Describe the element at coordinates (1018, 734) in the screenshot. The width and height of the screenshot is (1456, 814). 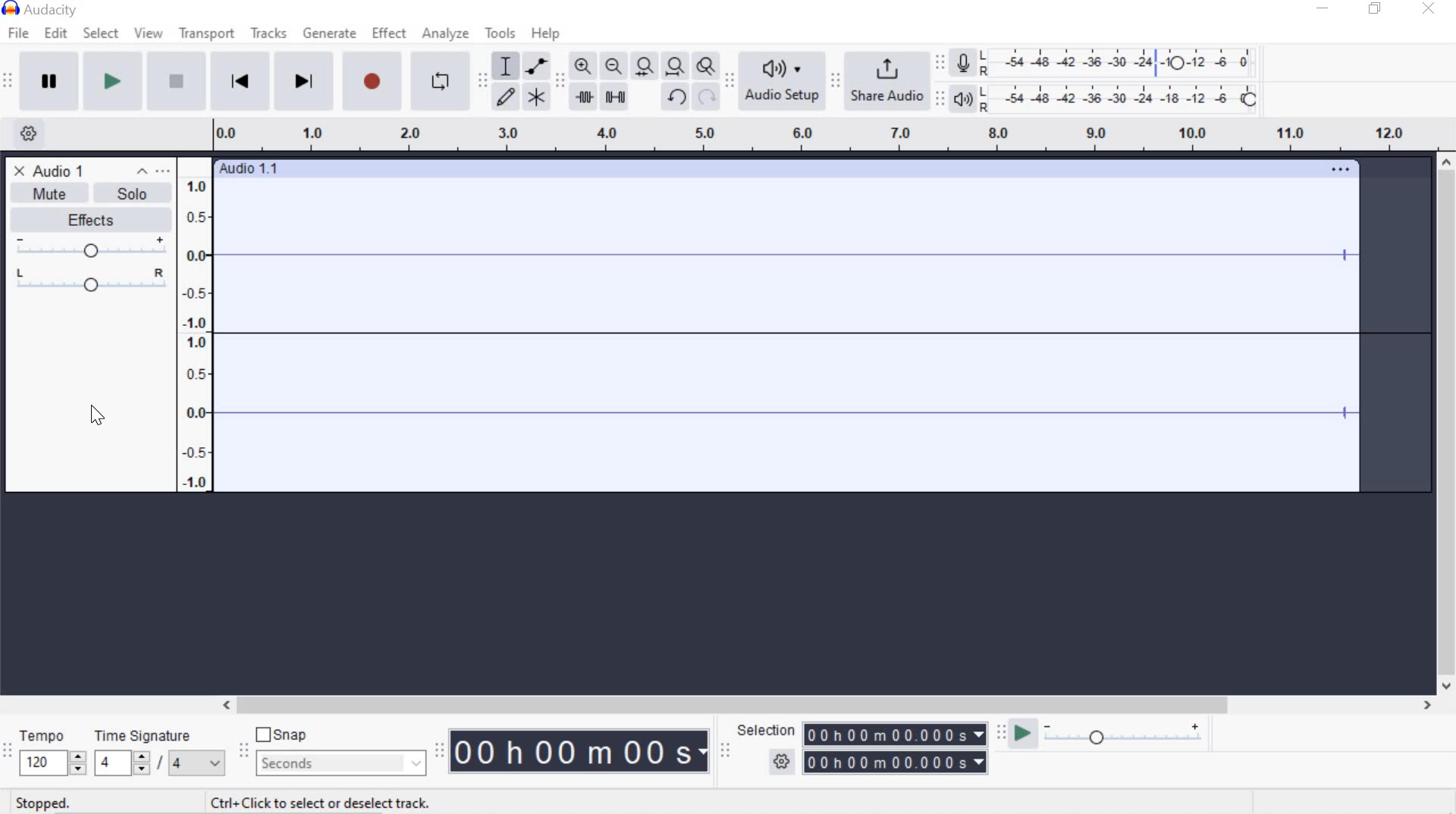
I see `Play-at-speed` at that location.